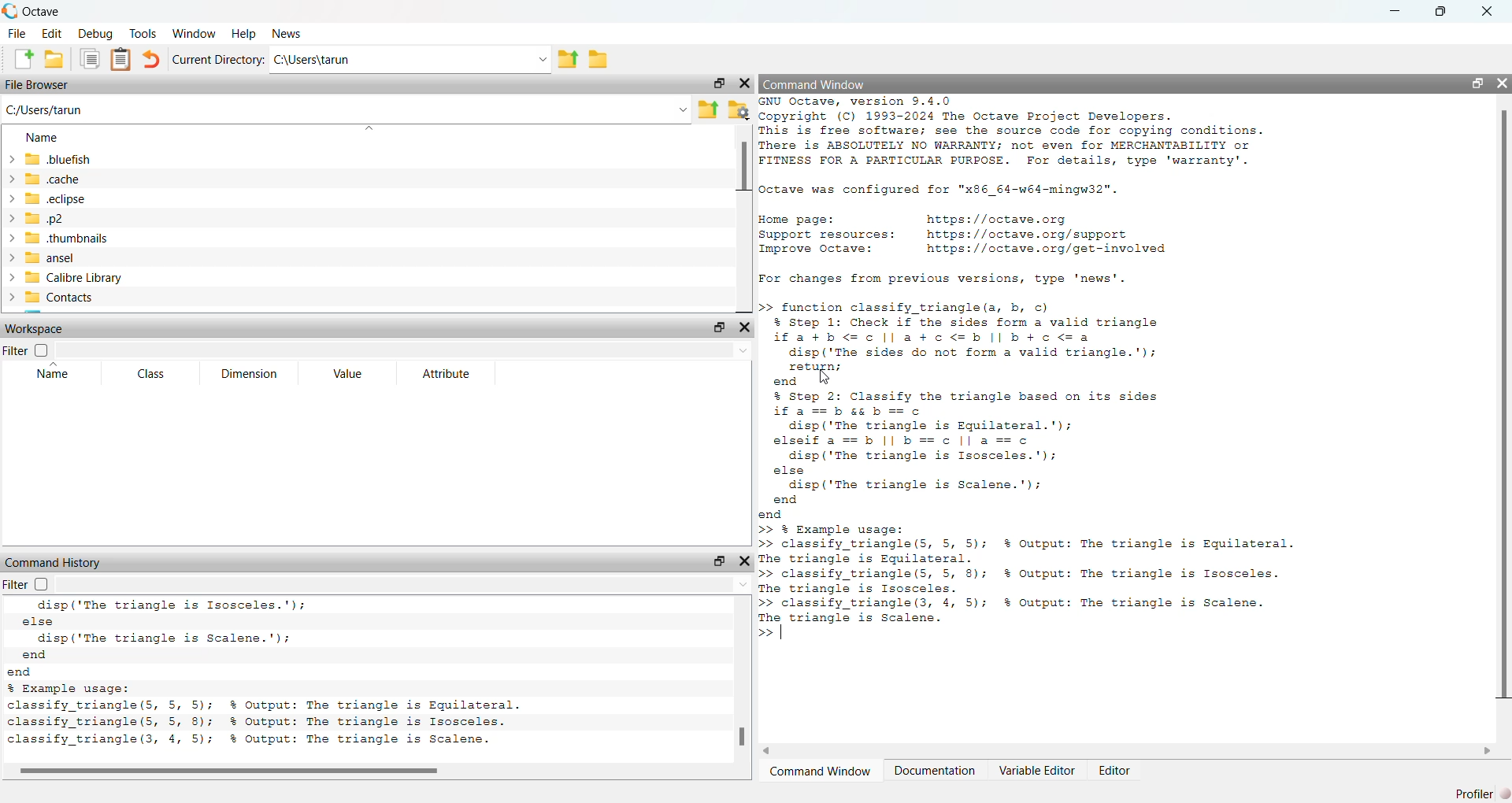 This screenshot has width=1512, height=803. What do you see at coordinates (1001, 455) in the screenshot?
I see `code to classify triangle based on its sides` at bounding box center [1001, 455].